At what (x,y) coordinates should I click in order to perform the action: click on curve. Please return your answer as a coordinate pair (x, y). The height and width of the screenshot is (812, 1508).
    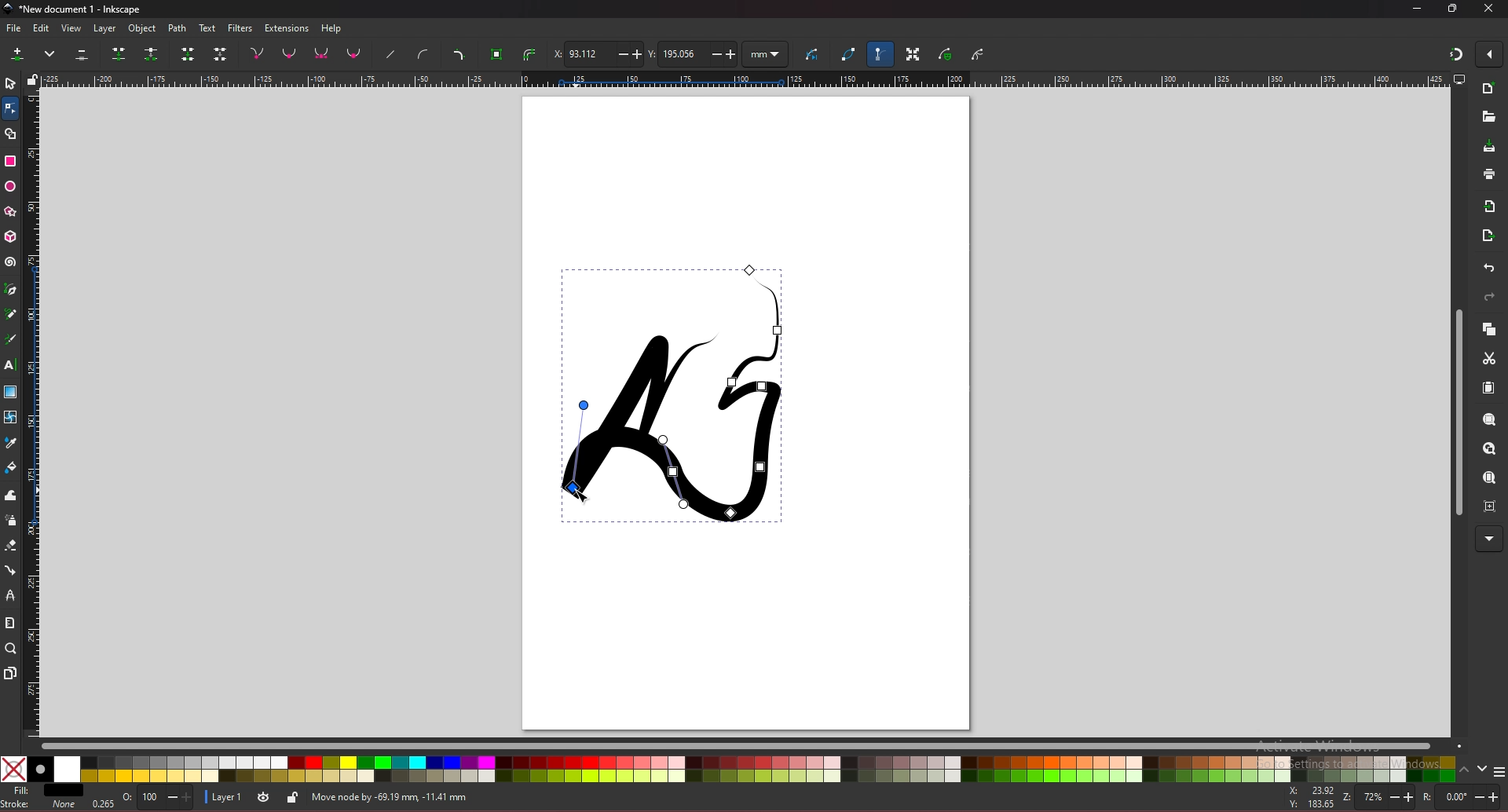
    Looking at the image, I should click on (814, 52).